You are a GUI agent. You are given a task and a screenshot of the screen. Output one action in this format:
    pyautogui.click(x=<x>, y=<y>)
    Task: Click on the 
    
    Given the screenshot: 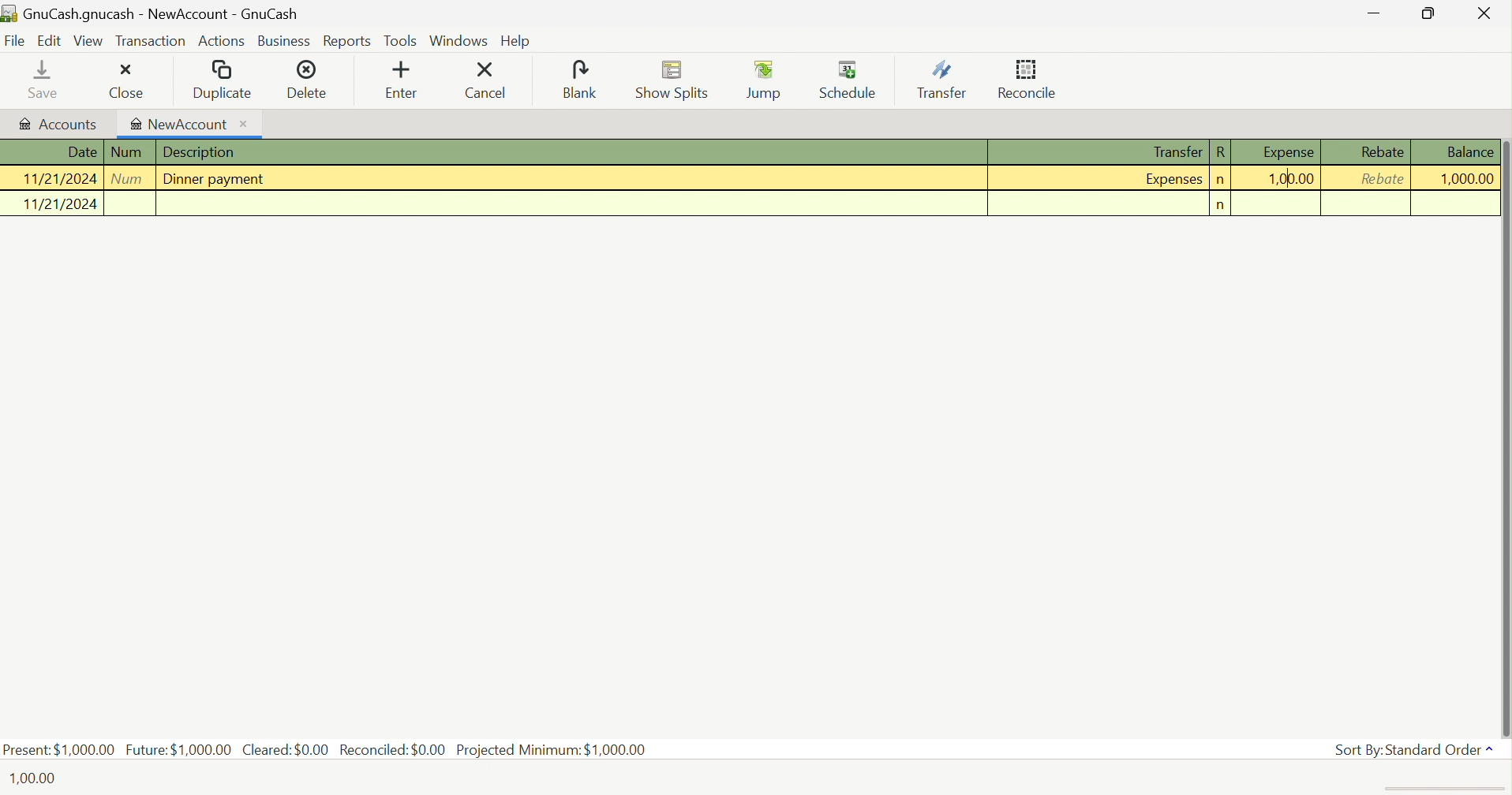 What is the action you would take?
    pyautogui.click(x=1223, y=203)
    